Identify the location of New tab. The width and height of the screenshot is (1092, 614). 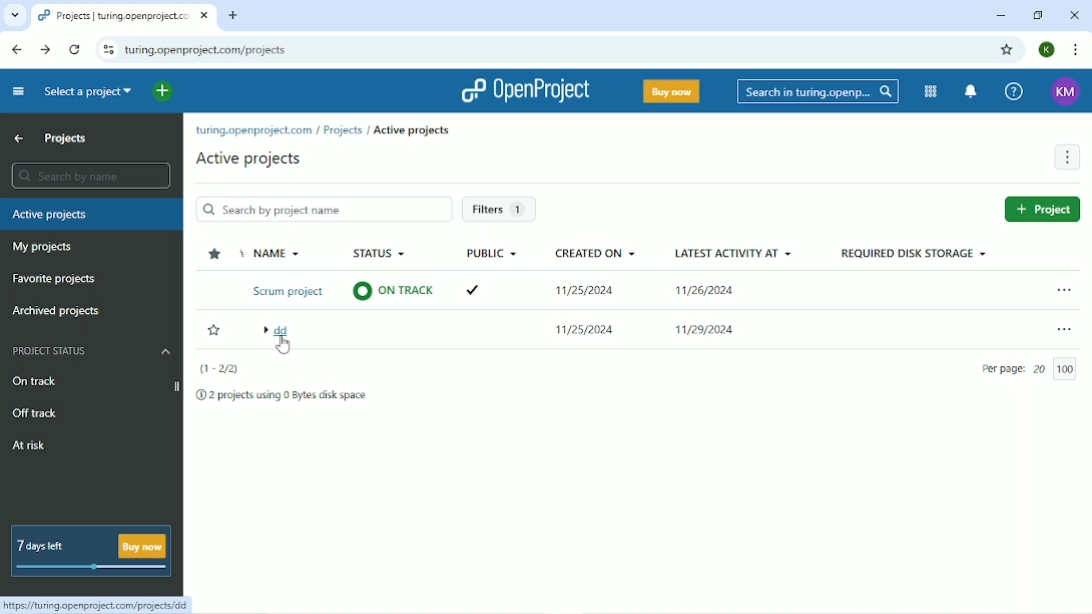
(232, 16).